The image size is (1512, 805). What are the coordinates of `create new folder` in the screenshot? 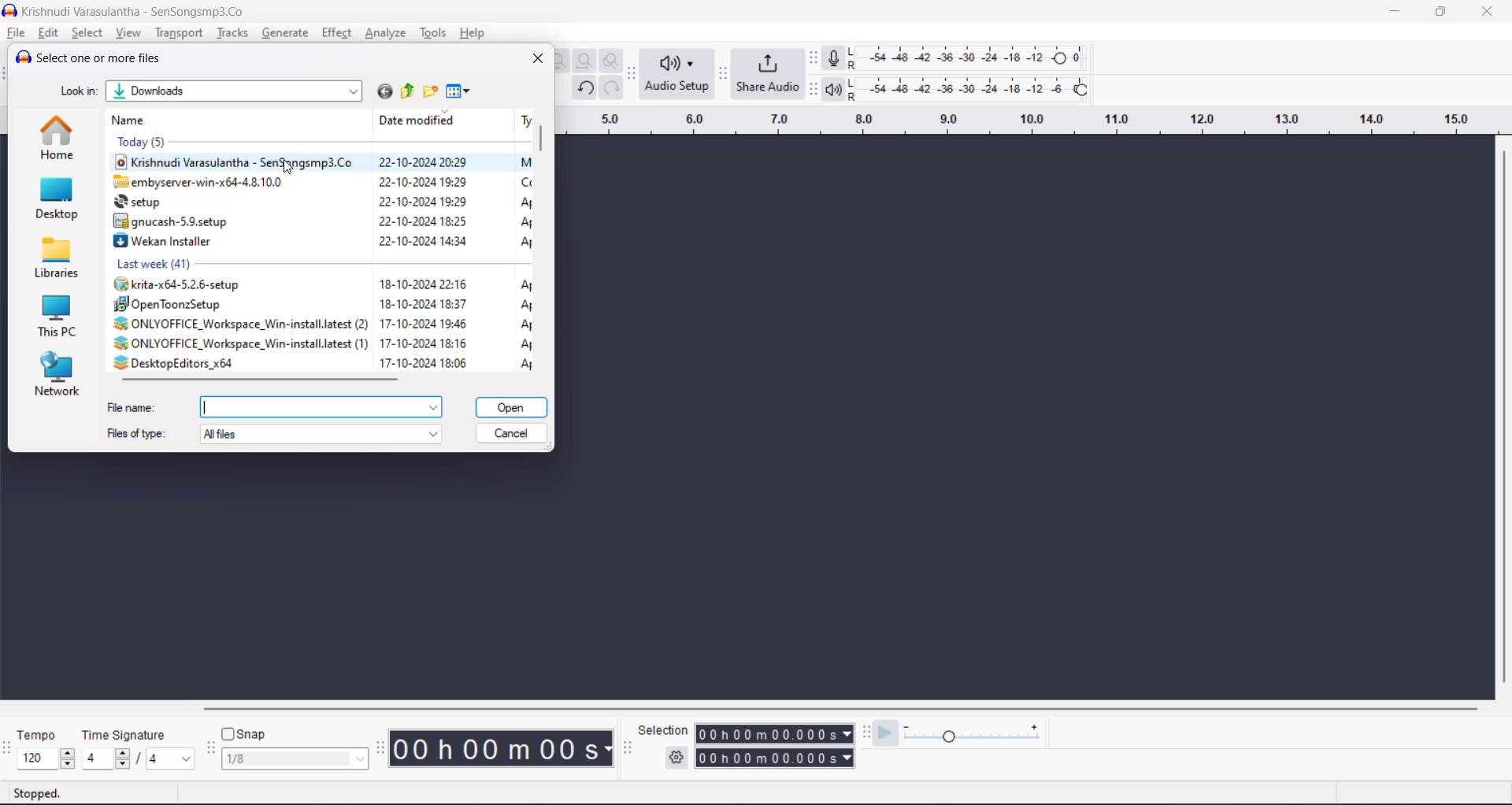 It's located at (428, 91).